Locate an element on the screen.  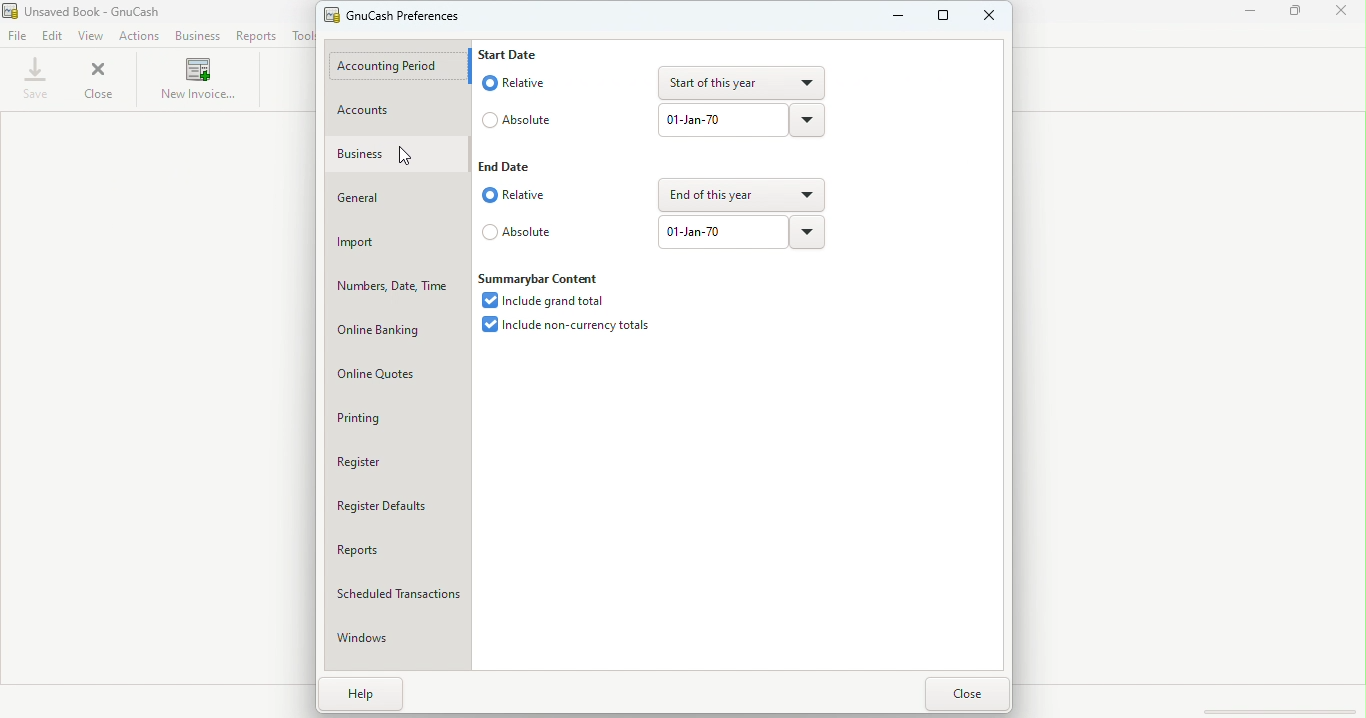
Drop down is located at coordinates (742, 193).